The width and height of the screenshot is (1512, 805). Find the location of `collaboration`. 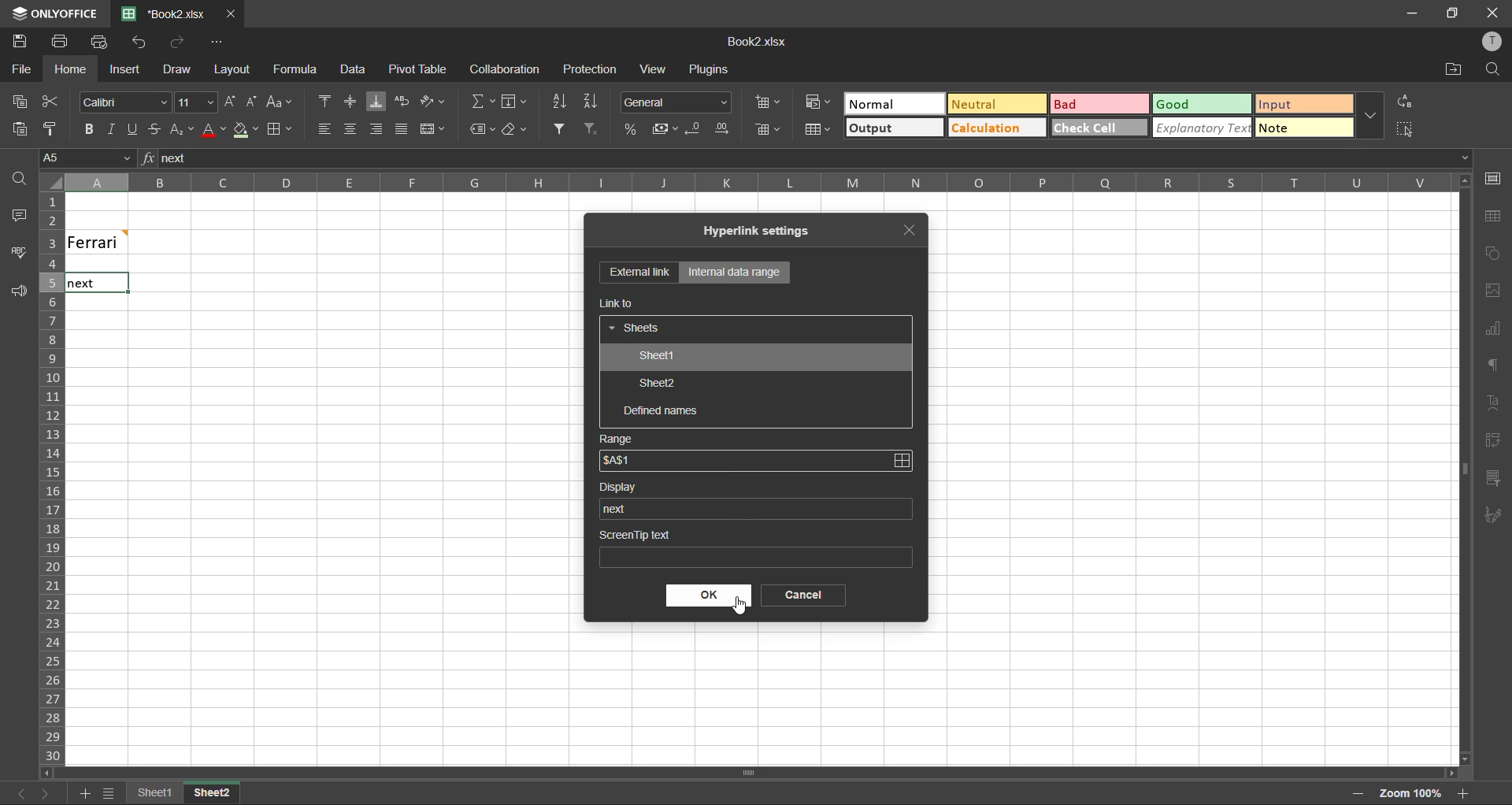

collaboration is located at coordinates (506, 69).